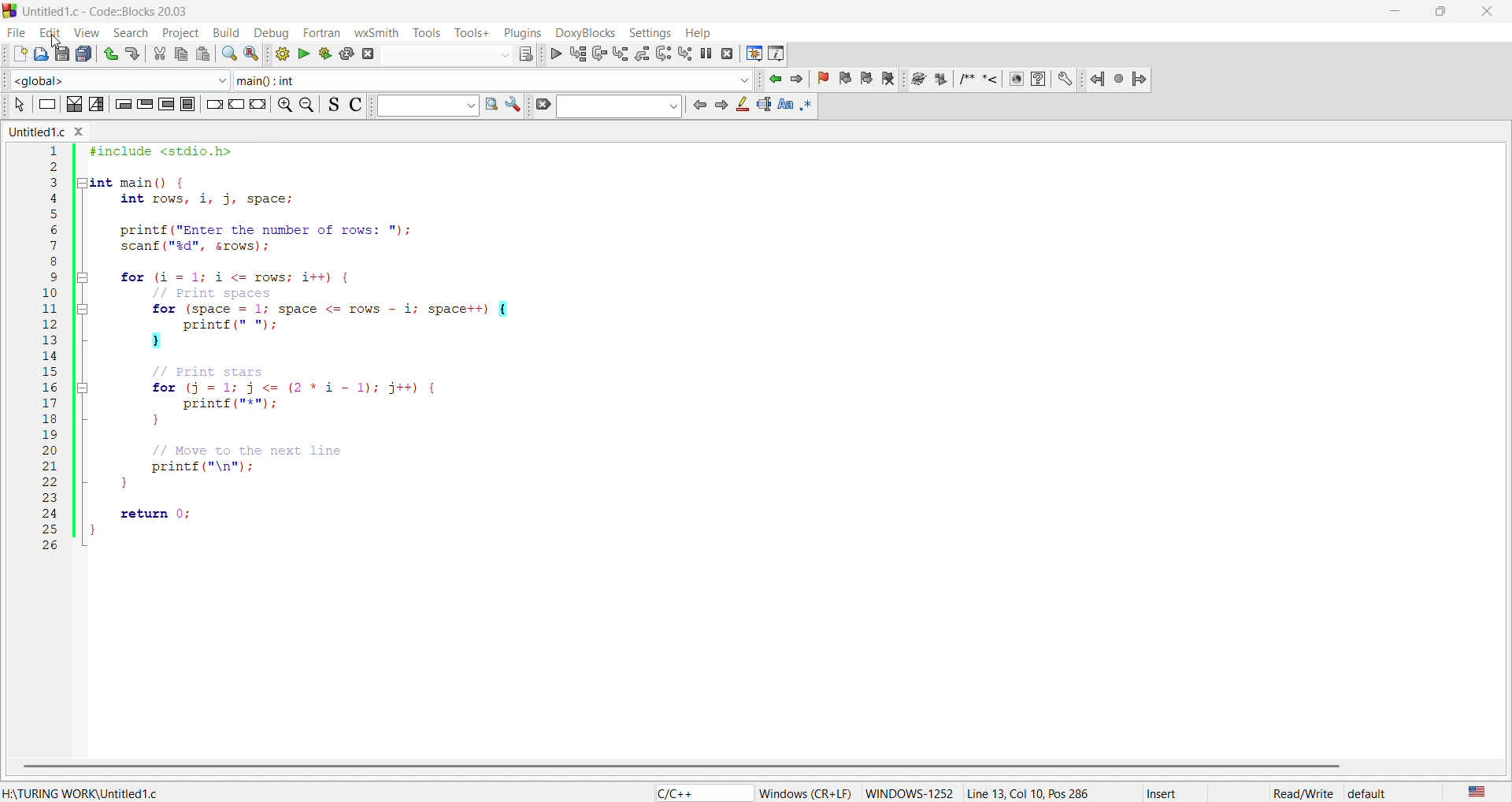  What do you see at coordinates (334, 106) in the screenshot?
I see `toggle source` at bounding box center [334, 106].